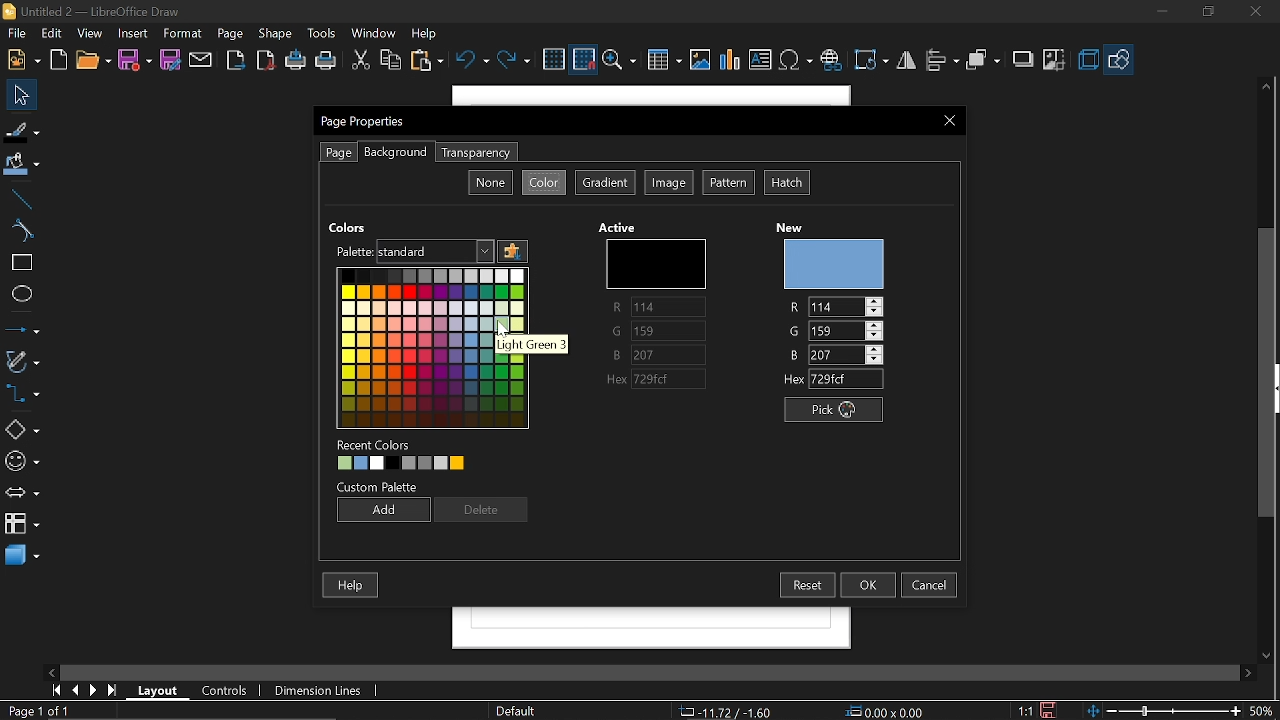 The width and height of the screenshot is (1280, 720). I want to click on Colors, so click(430, 346).